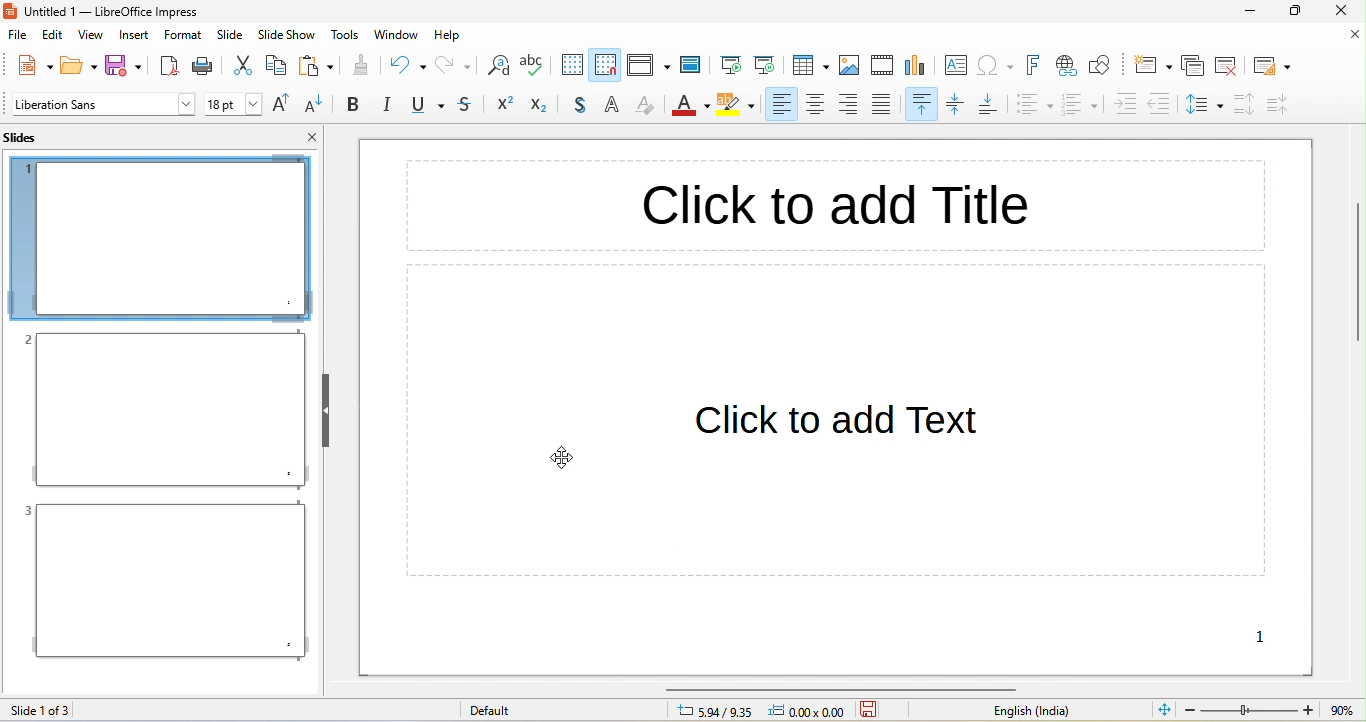  What do you see at coordinates (80, 64) in the screenshot?
I see `open` at bounding box center [80, 64].